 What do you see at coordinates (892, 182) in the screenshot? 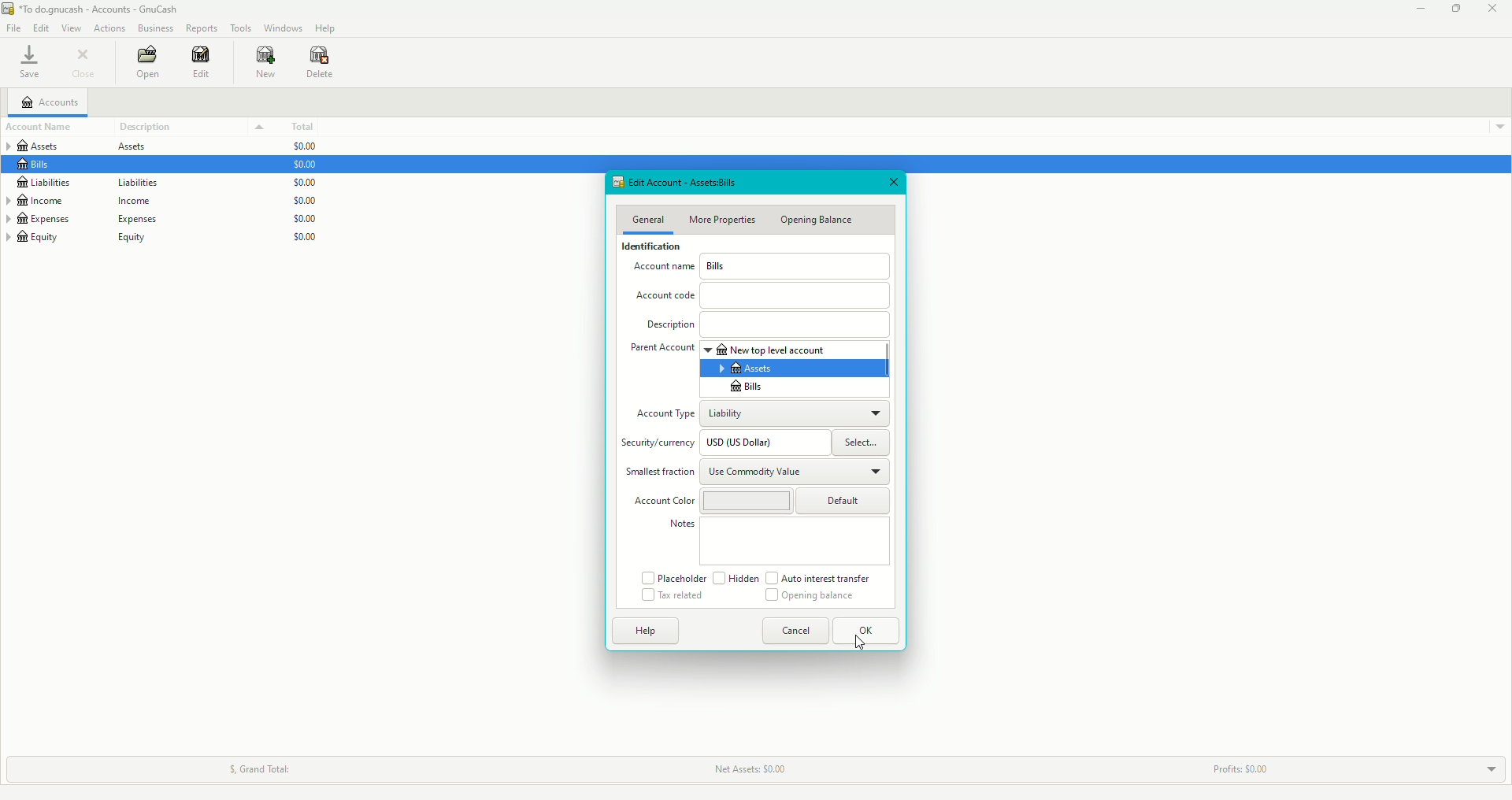
I see `Close` at bounding box center [892, 182].